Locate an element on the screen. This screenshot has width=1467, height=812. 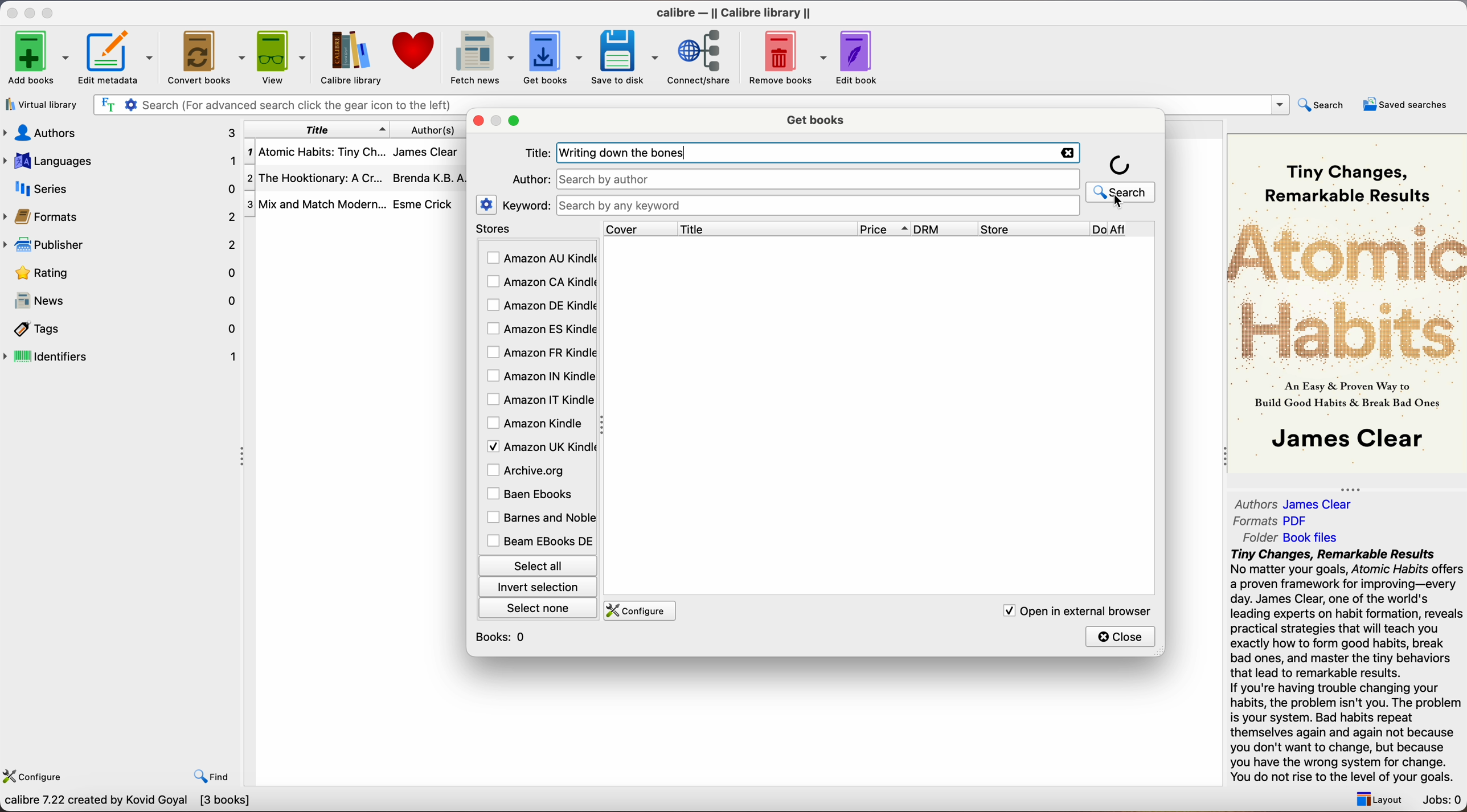
authors is located at coordinates (440, 129).